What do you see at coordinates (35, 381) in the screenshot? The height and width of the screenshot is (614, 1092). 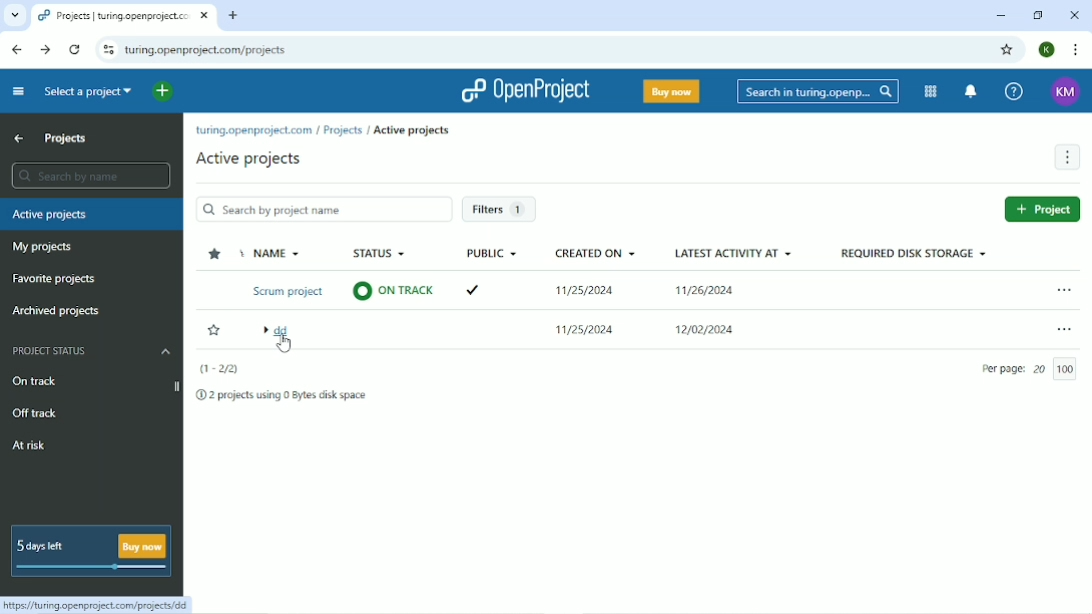 I see `On track` at bounding box center [35, 381].